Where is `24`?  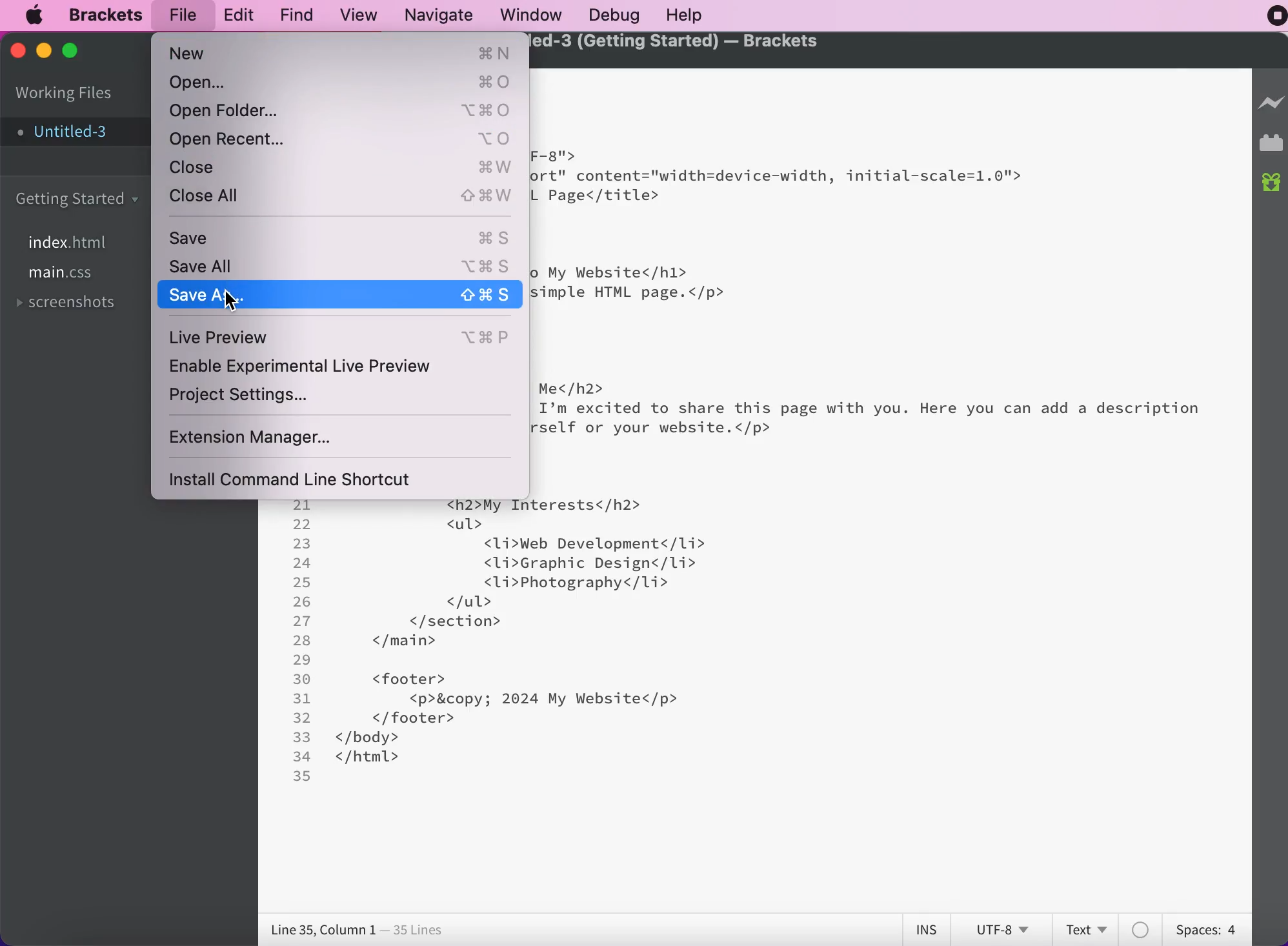
24 is located at coordinates (303, 563).